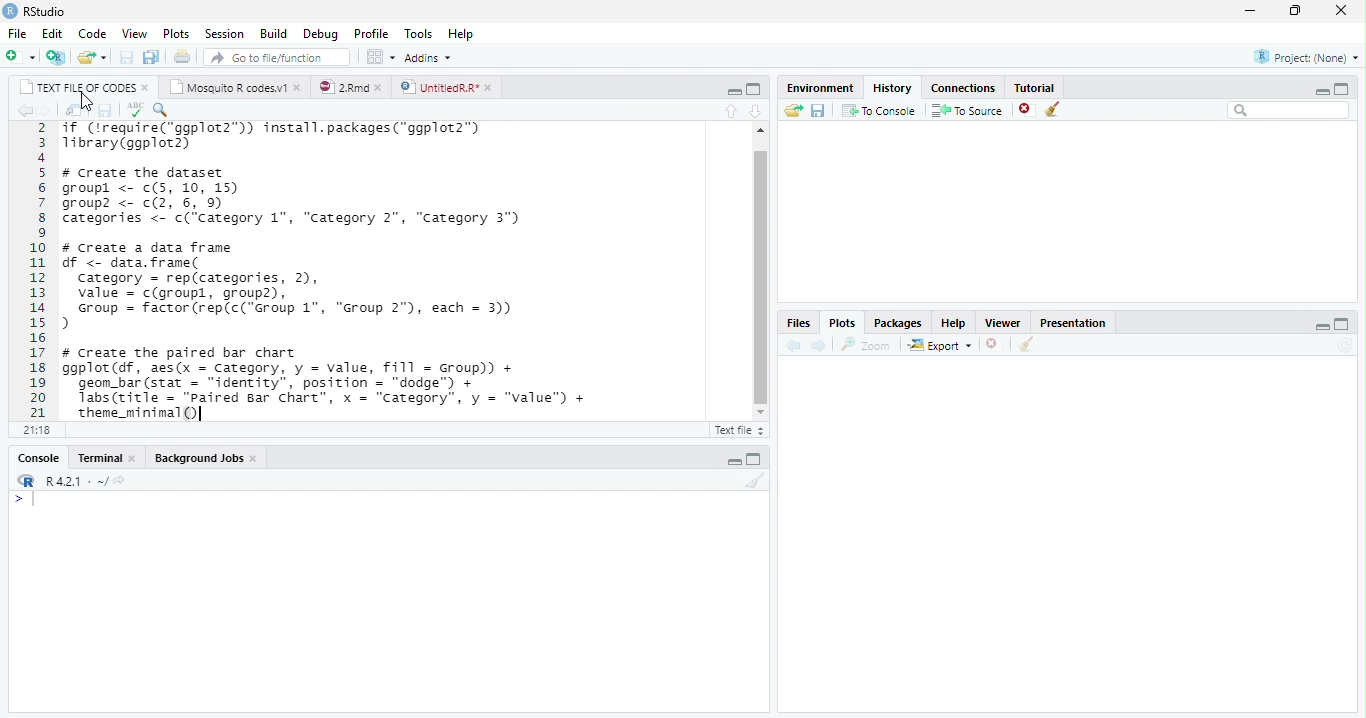 The width and height of the screenshot is (1366, 718). I want to click on go to next section, so click(757, 111).